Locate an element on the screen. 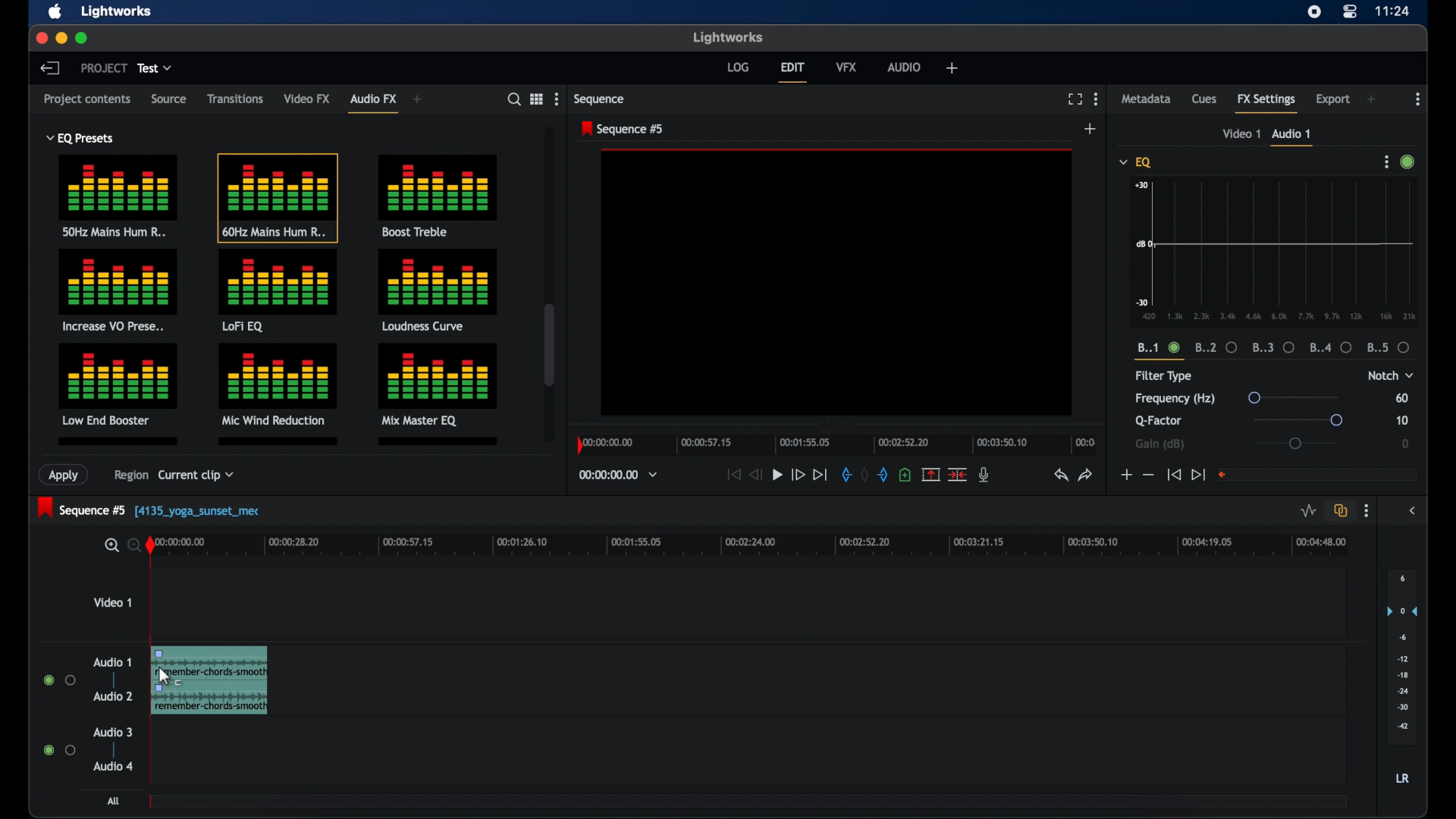 Image resolution: width=1456 pixels, height=819 pixels. metadata is located at coordinates (1147, 98).